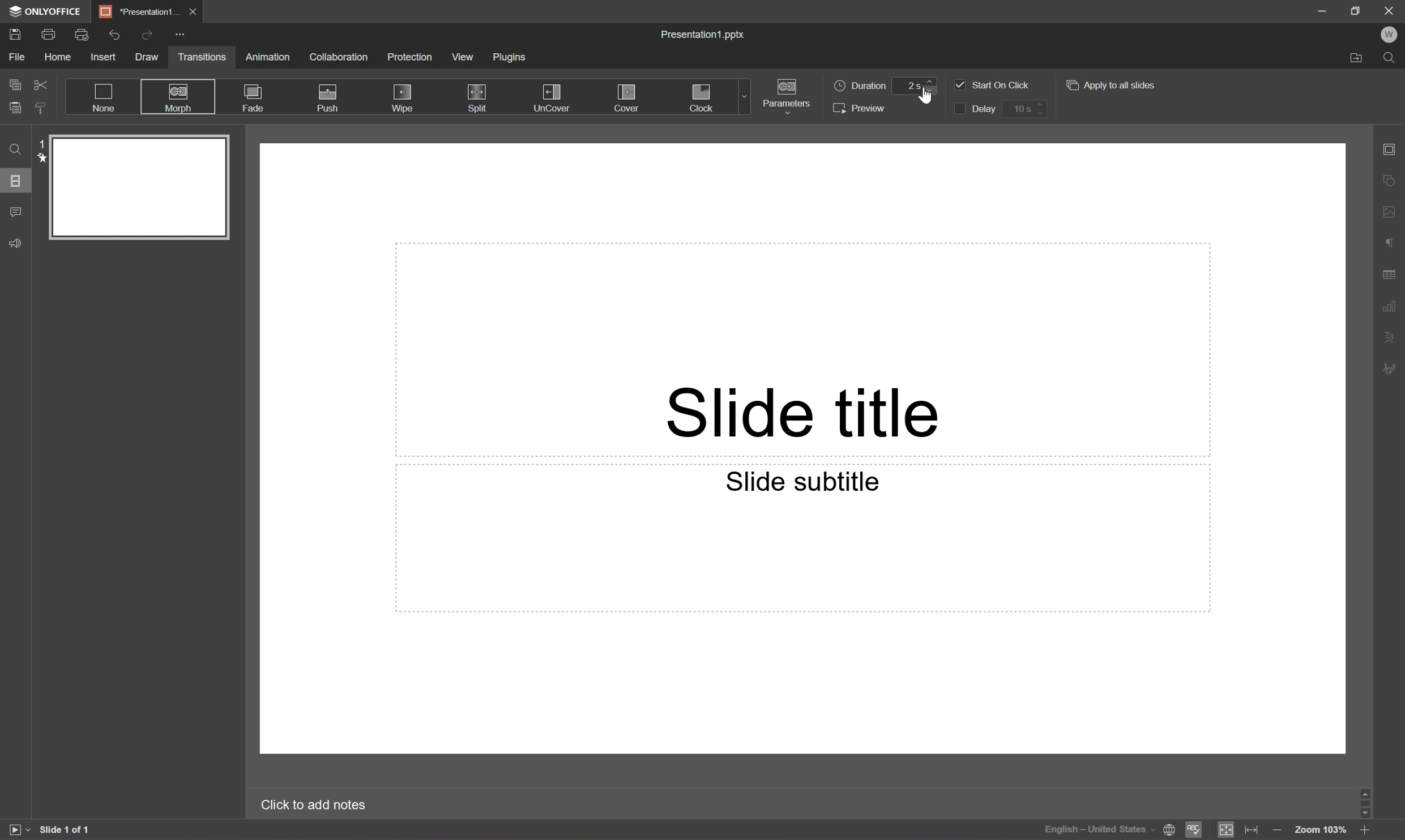 The width and height of the screenshot is (1405, 840). What do you see at coordinates (410, 57) in the screenshot?
I see `Protection` at bounding box center [410, 57].